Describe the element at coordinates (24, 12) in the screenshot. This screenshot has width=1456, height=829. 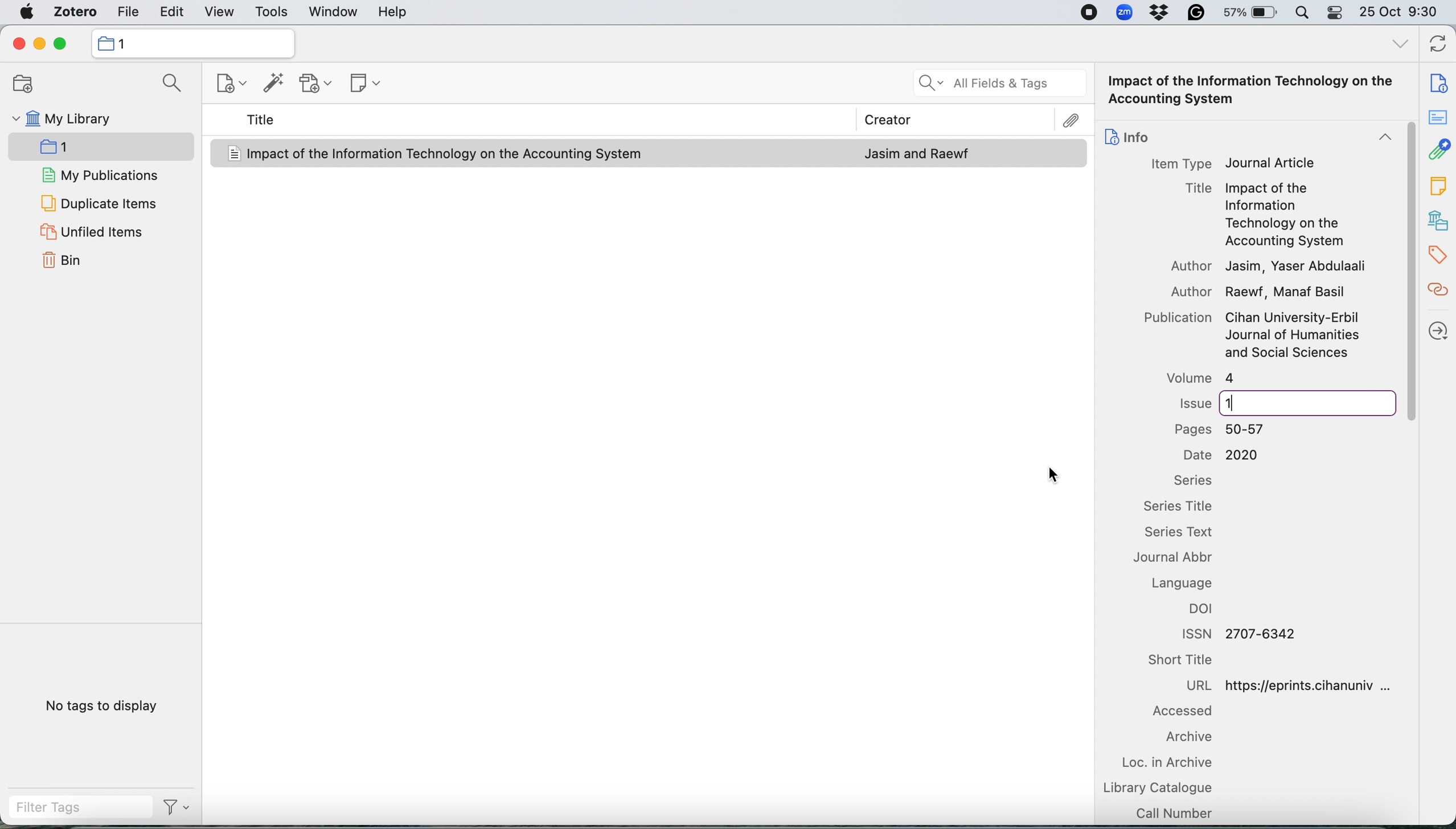
I see `system logo` at that location.